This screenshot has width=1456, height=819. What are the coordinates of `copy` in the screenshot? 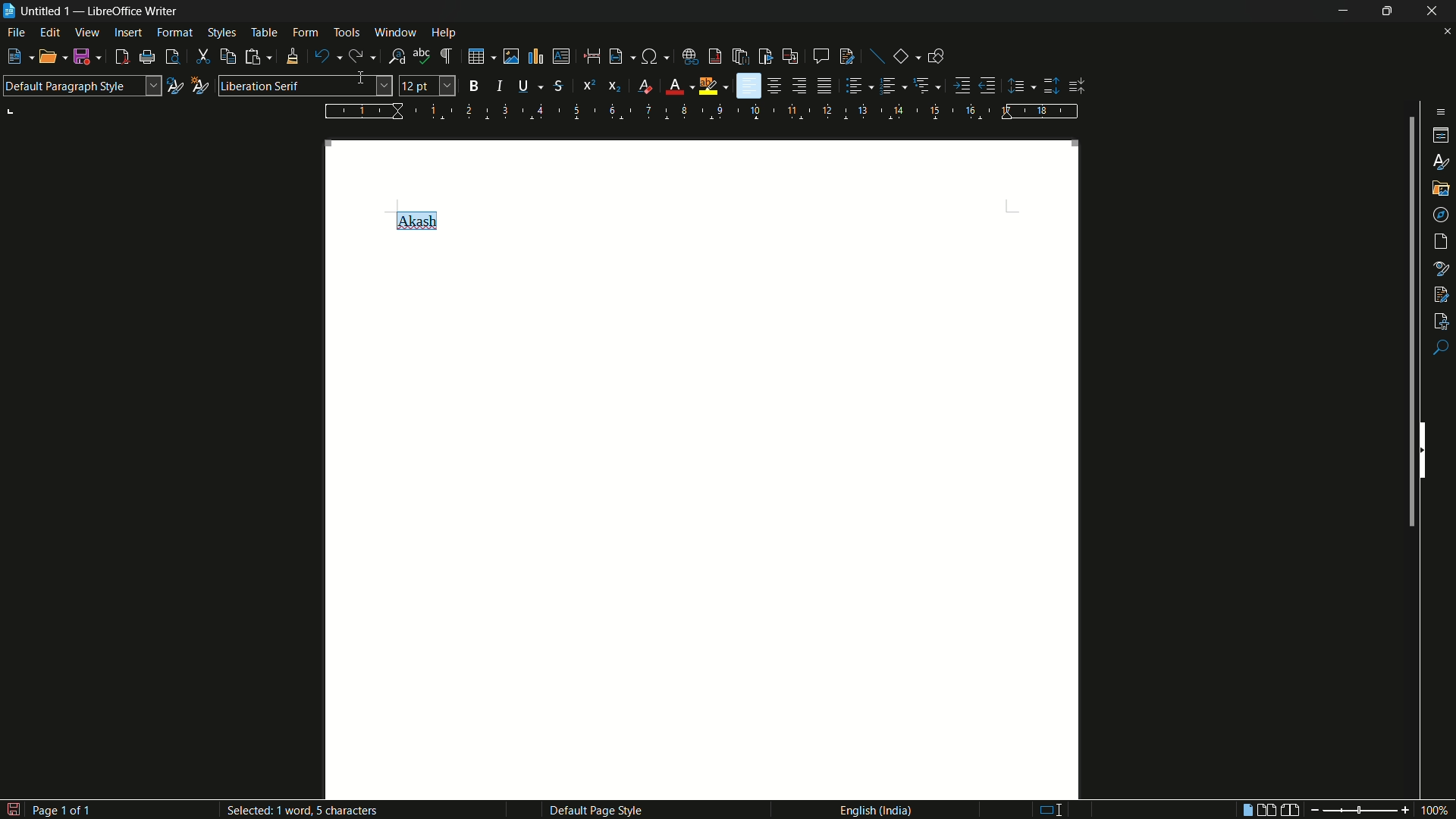 It's located at (228, 57).